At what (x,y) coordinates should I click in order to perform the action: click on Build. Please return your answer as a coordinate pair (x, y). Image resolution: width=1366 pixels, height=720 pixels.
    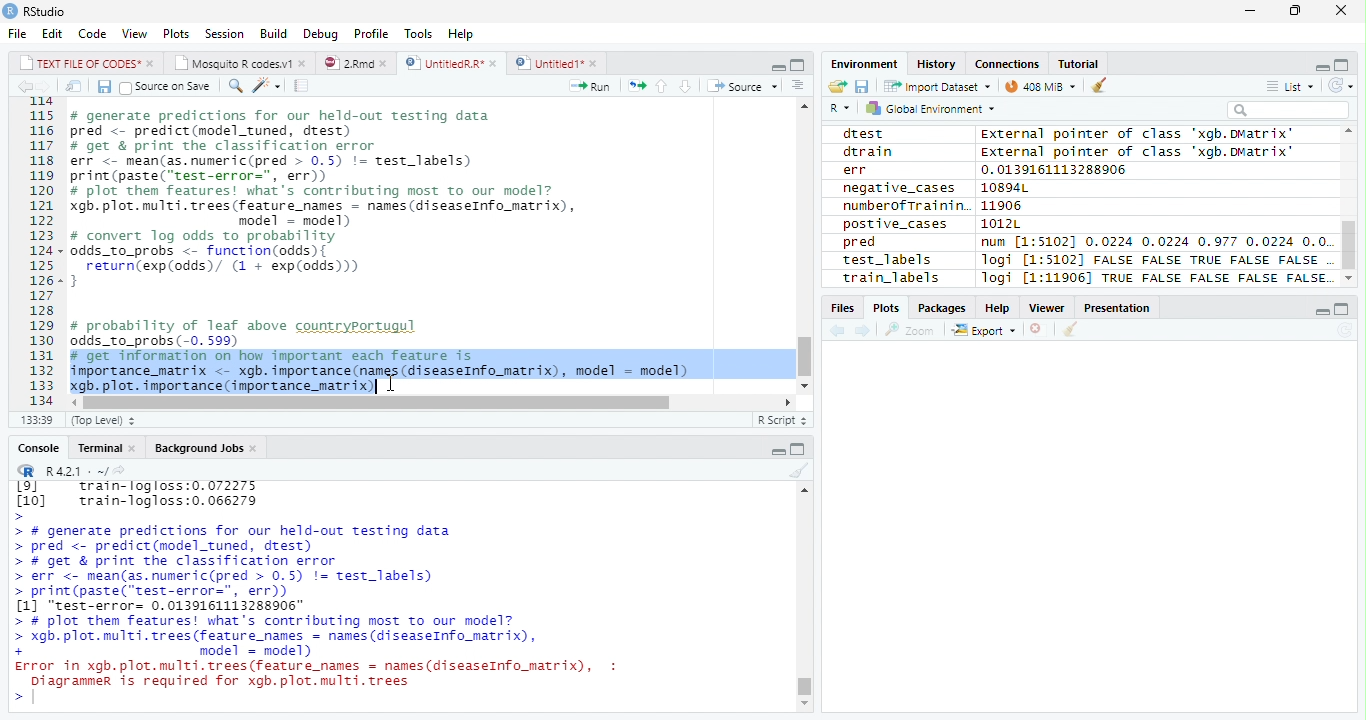
    Looking at the image, I should click on (274, 34).